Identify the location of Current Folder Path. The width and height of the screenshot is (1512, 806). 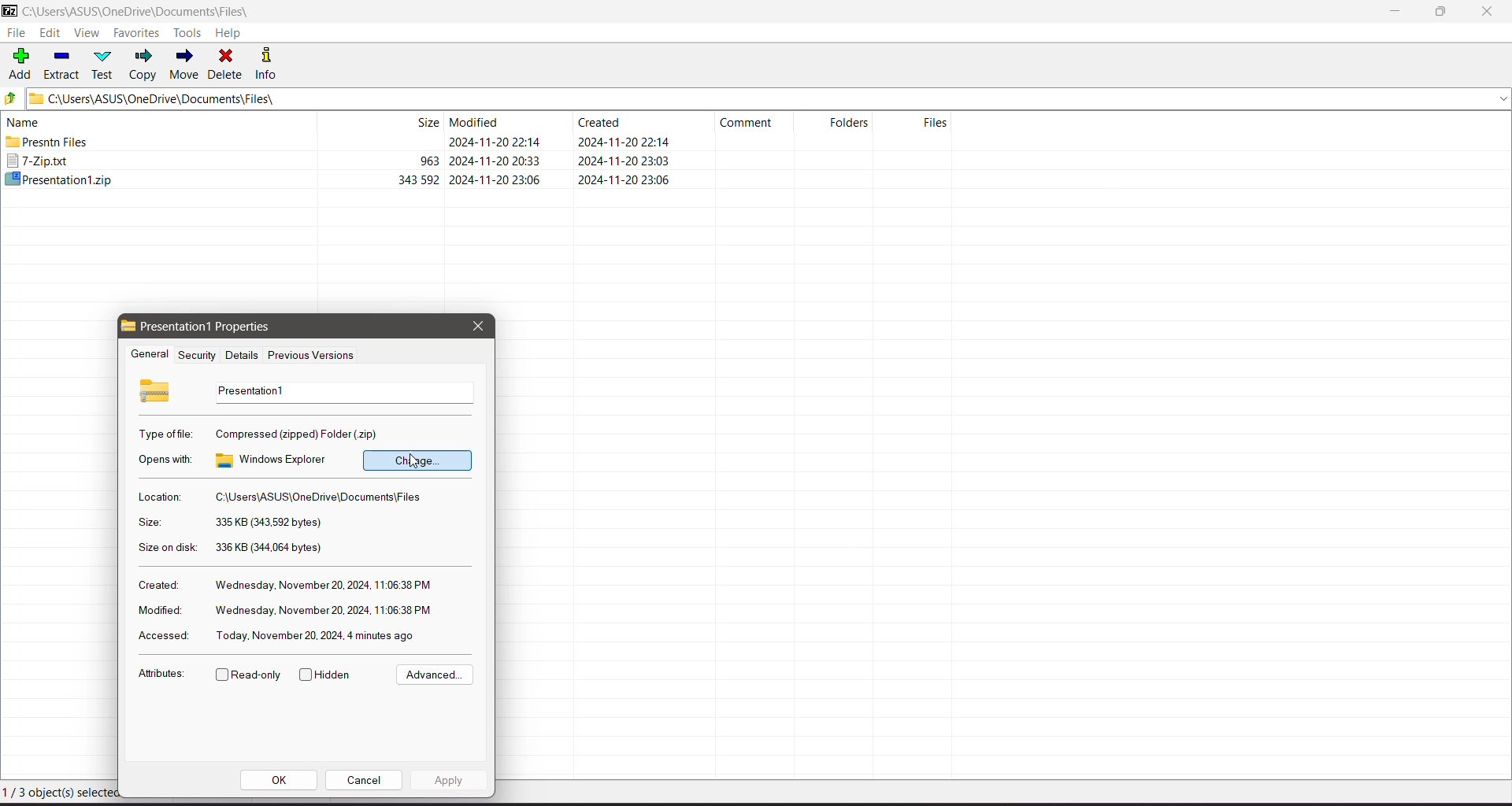
(148, 12).